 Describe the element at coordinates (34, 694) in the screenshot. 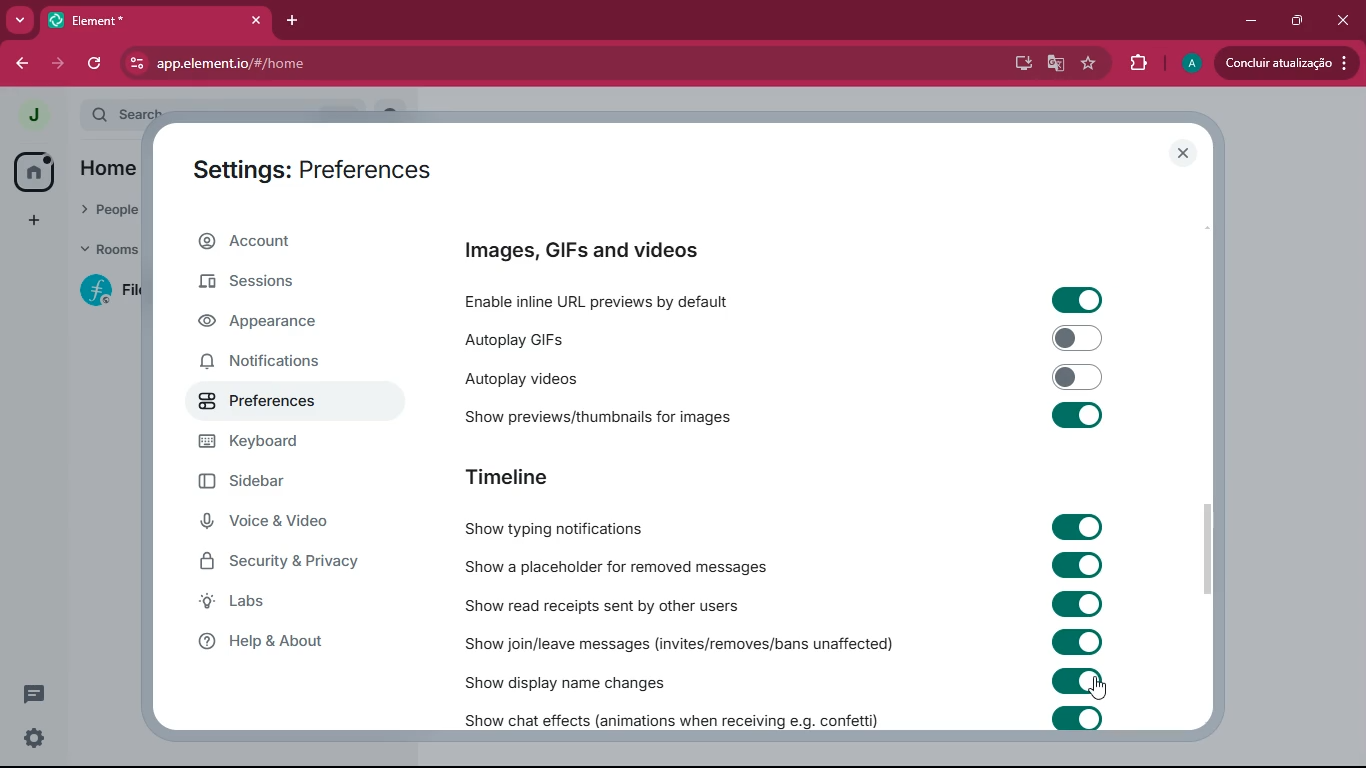

I see `threads` at that location.